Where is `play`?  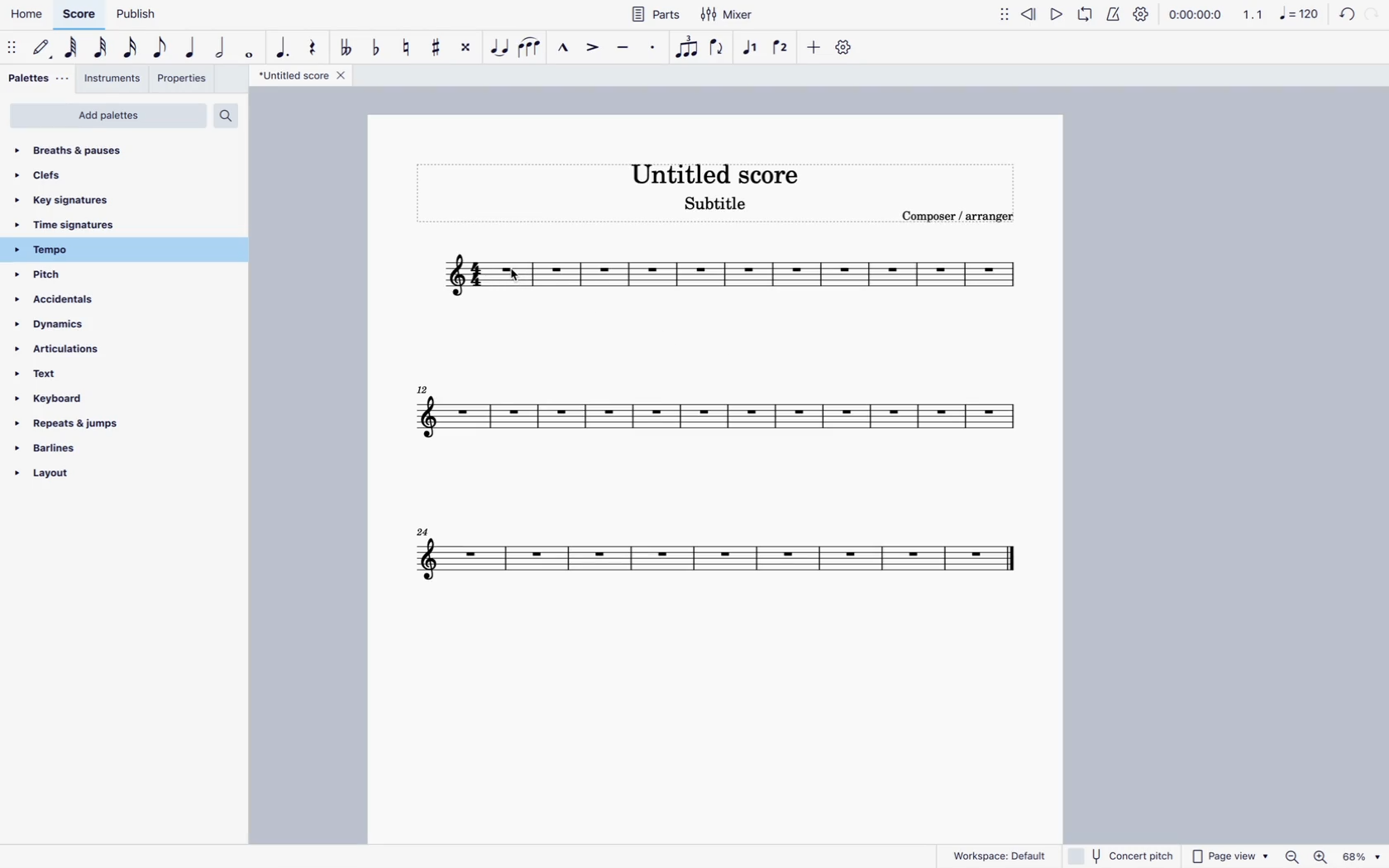 play is located at coordinates (1056, 13).